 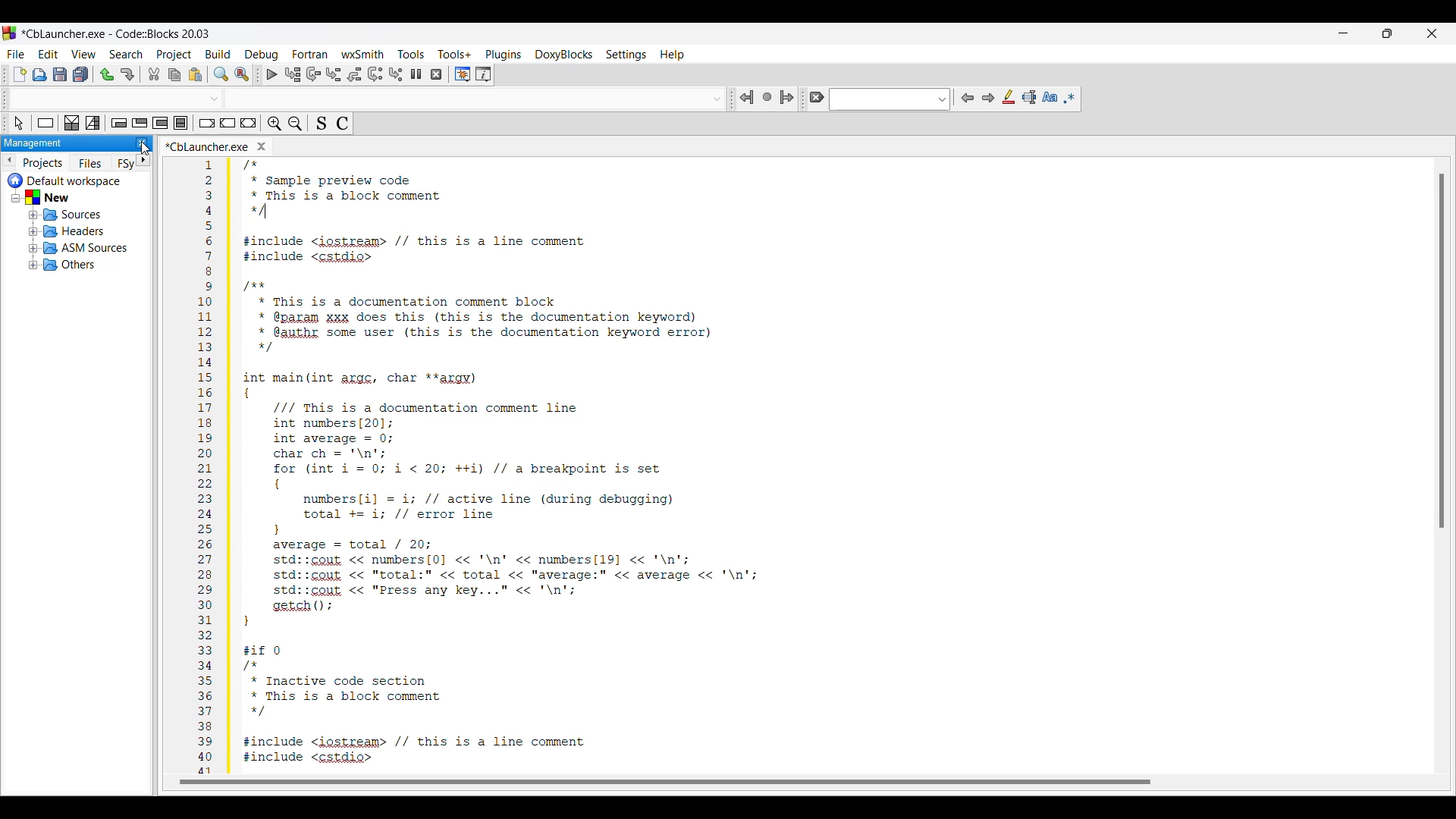 I want to click on Minimize, so click(x=1344, y=33).